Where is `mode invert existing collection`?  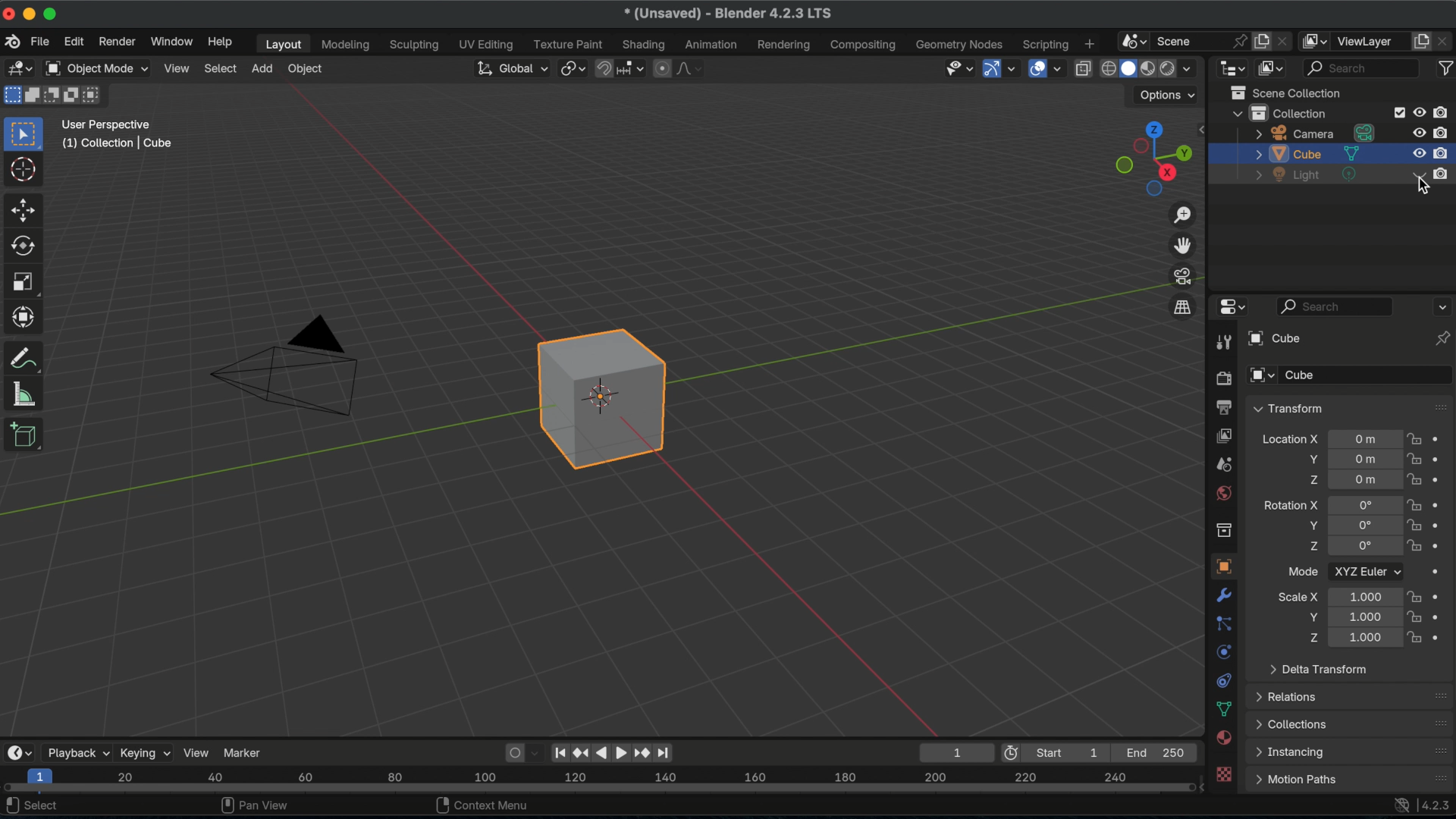 mode invert existing collection is located at coordinates (74, 96).